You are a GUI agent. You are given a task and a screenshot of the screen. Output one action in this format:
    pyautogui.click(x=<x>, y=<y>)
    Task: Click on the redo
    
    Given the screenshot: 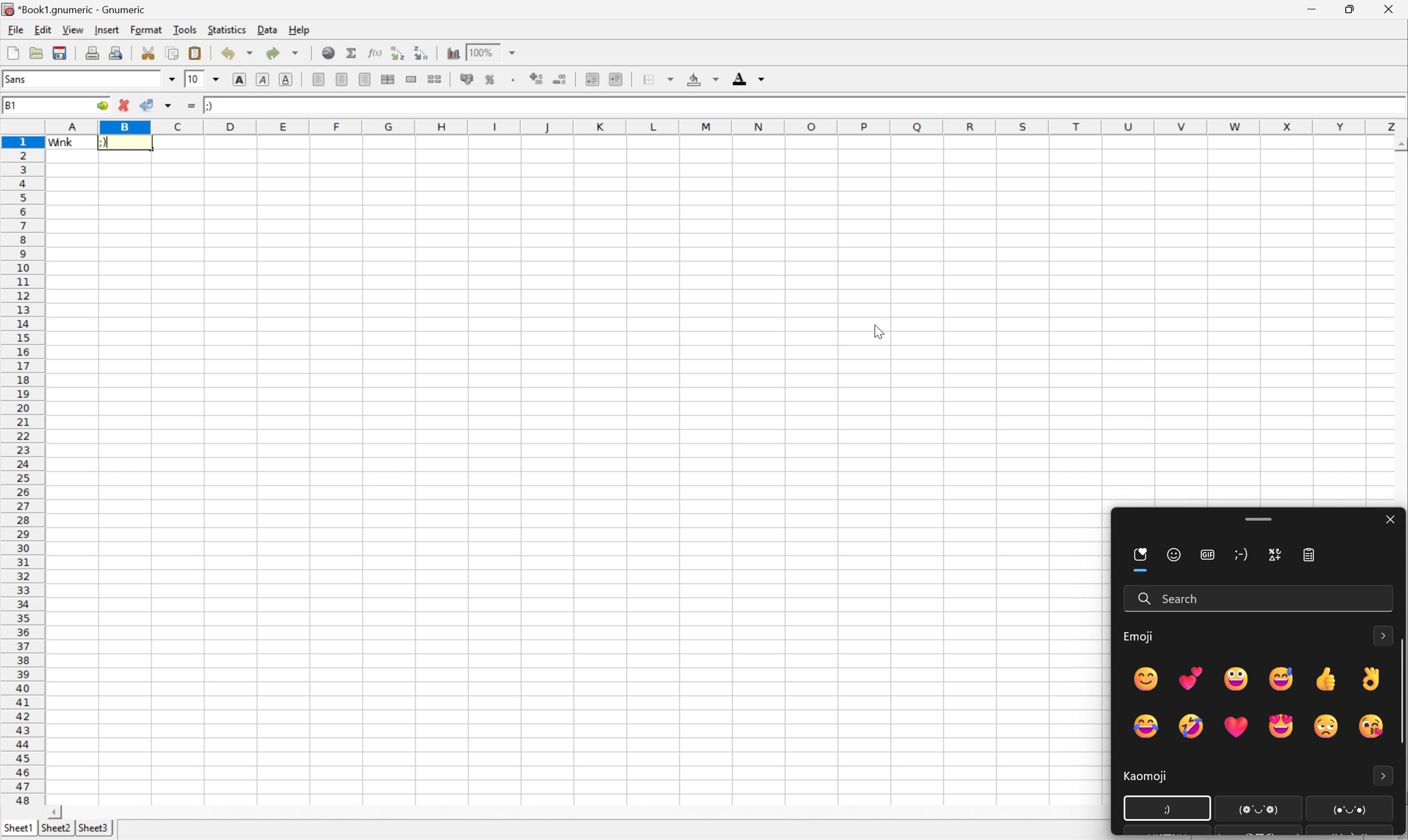 What is the action you would take?
    pyautogui.click(x=284, y=55)
    